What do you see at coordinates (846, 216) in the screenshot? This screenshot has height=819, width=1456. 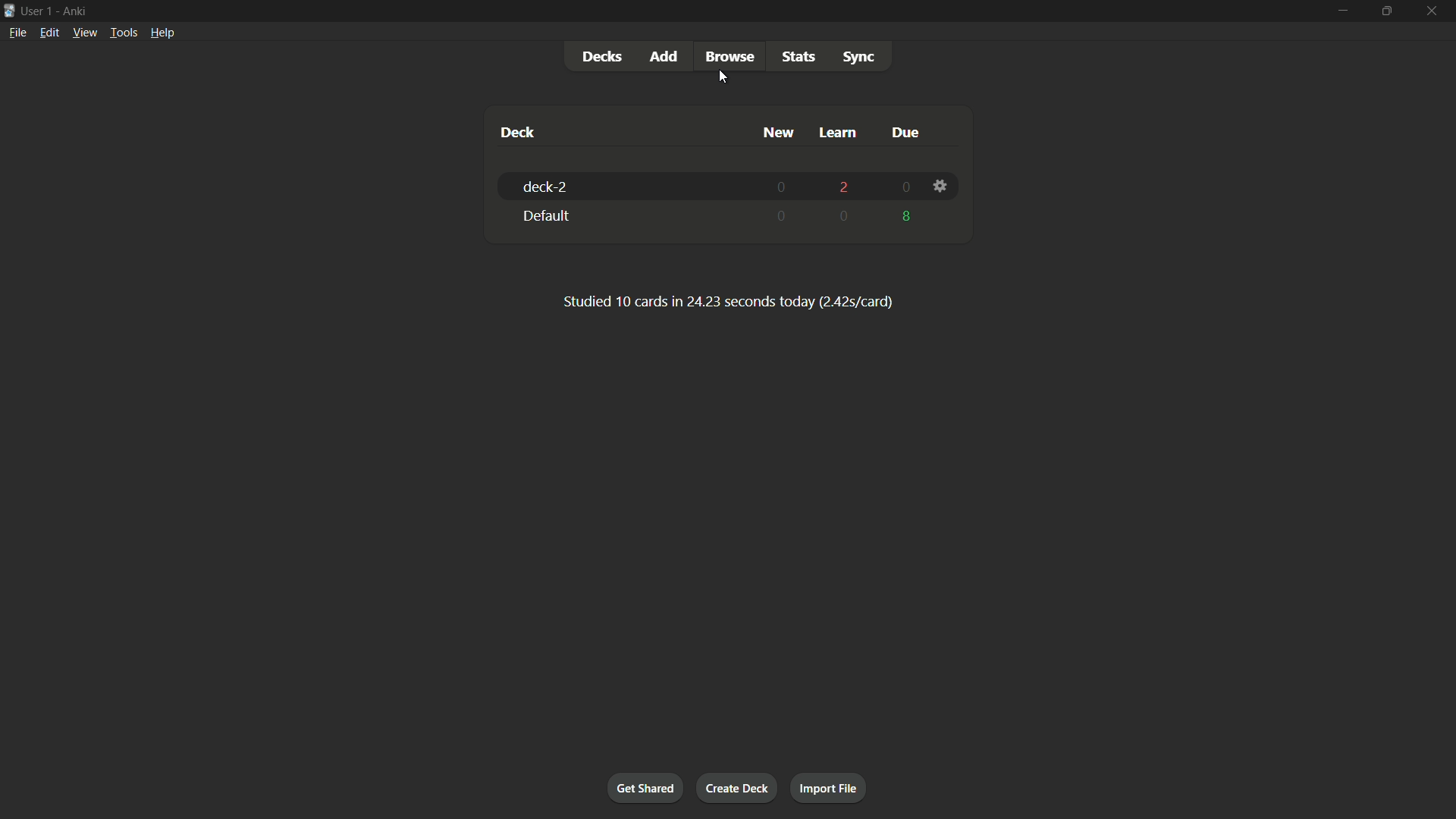 I see `0` at bounding box center [846, 216].